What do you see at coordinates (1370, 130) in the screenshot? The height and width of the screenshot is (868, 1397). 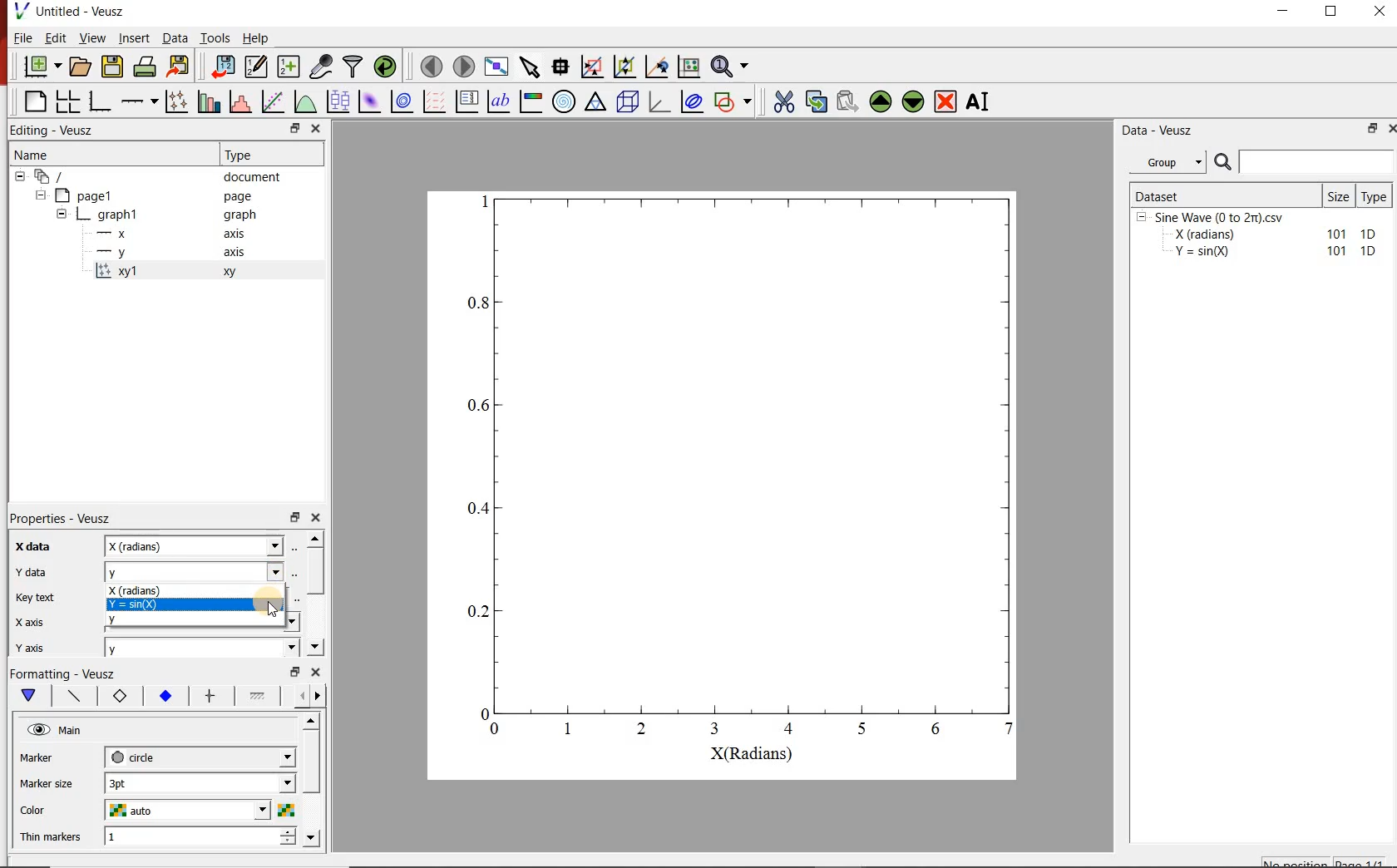 I see `Min/Max` at bounding box center [1370, 130].